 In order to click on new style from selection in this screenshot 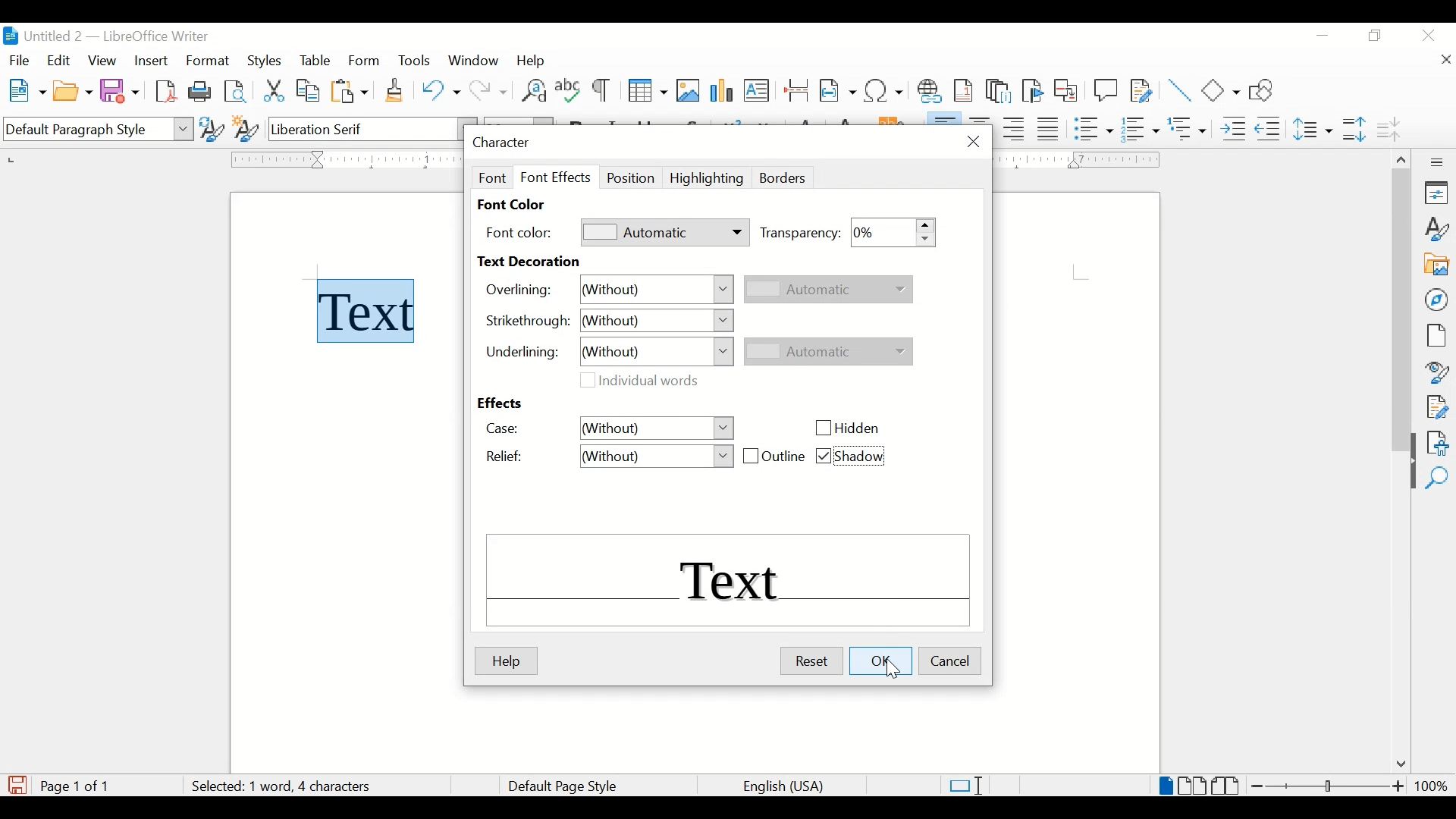, I will do `click(246, 126)`.